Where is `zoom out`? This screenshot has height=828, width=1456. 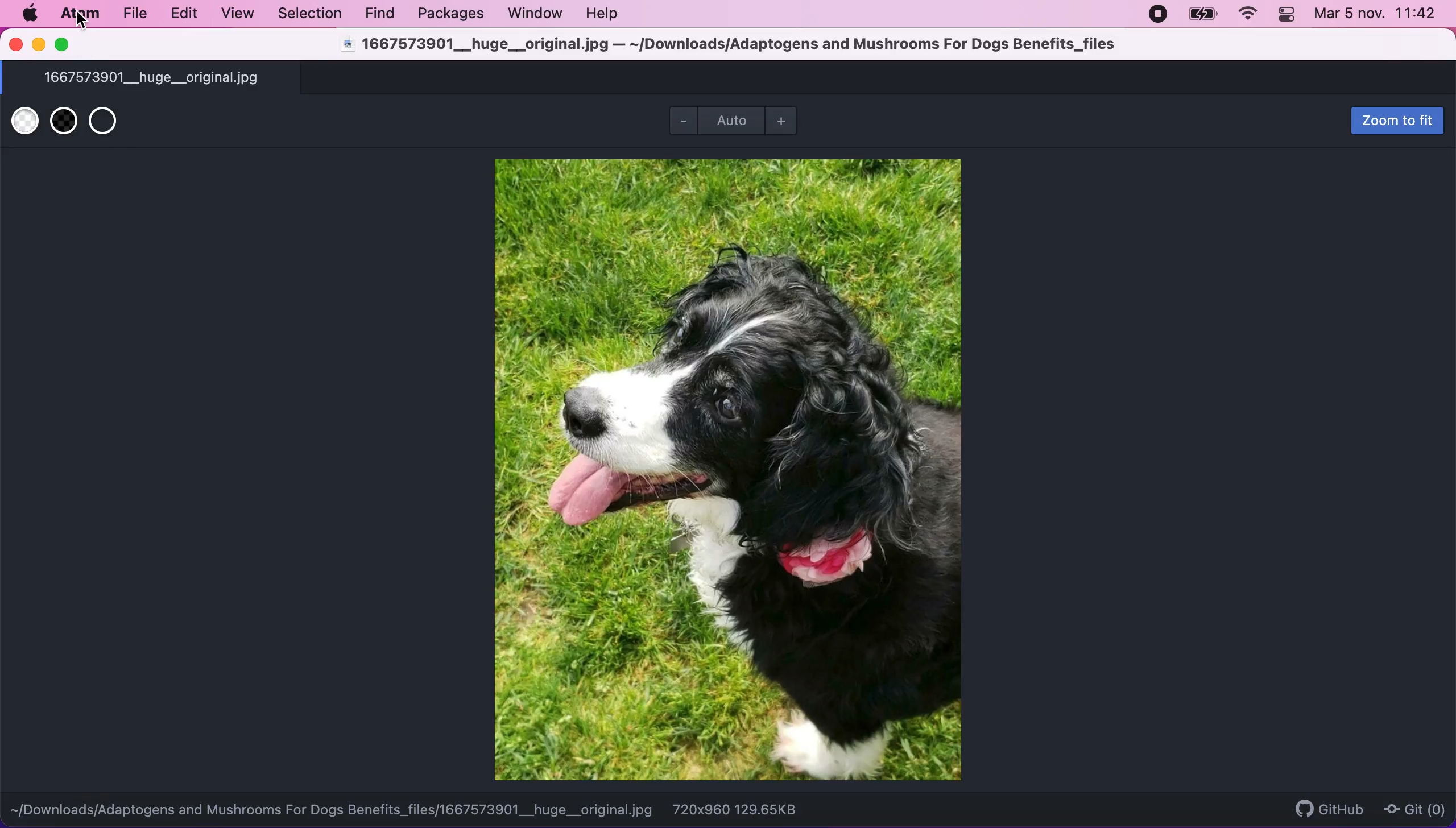 zoom out is located at coordinates (792, 119).